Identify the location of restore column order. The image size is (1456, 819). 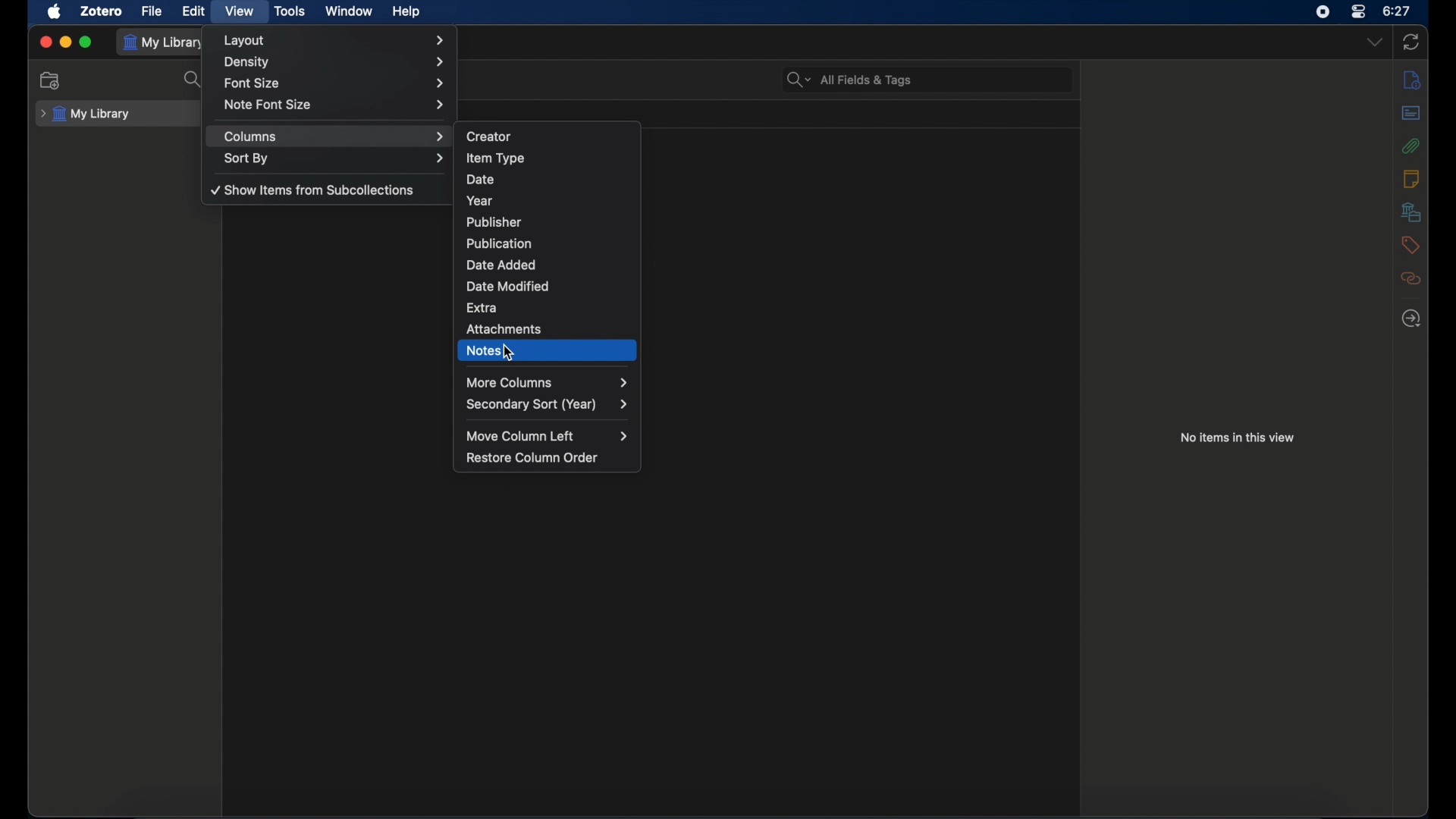
(533, 457).